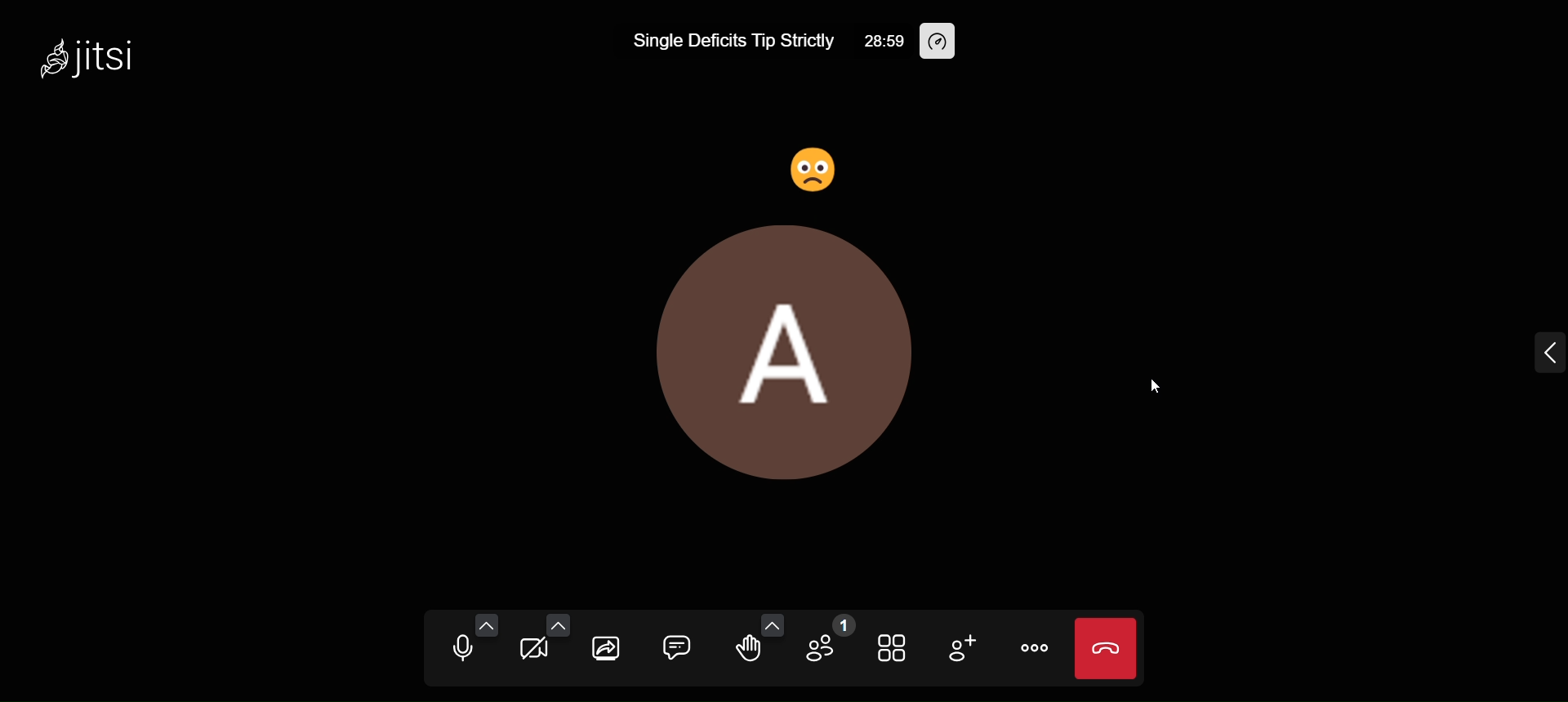  What do you see at coordinates (942, 40) in the screenshot?
I see `performance setting` at bounding box center [942, 40].